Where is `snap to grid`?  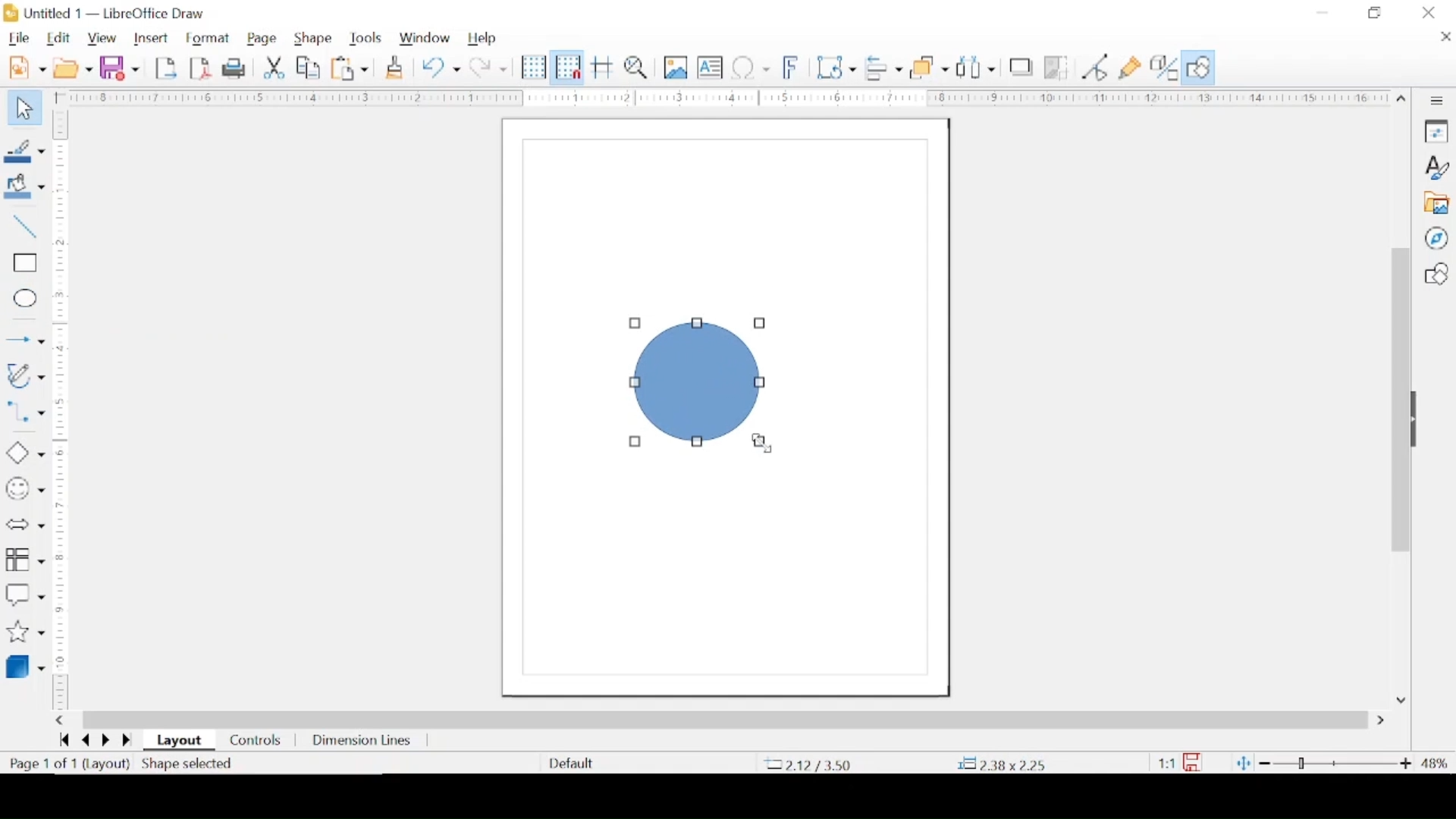
snap to grid is located at coordinates (566, 67).